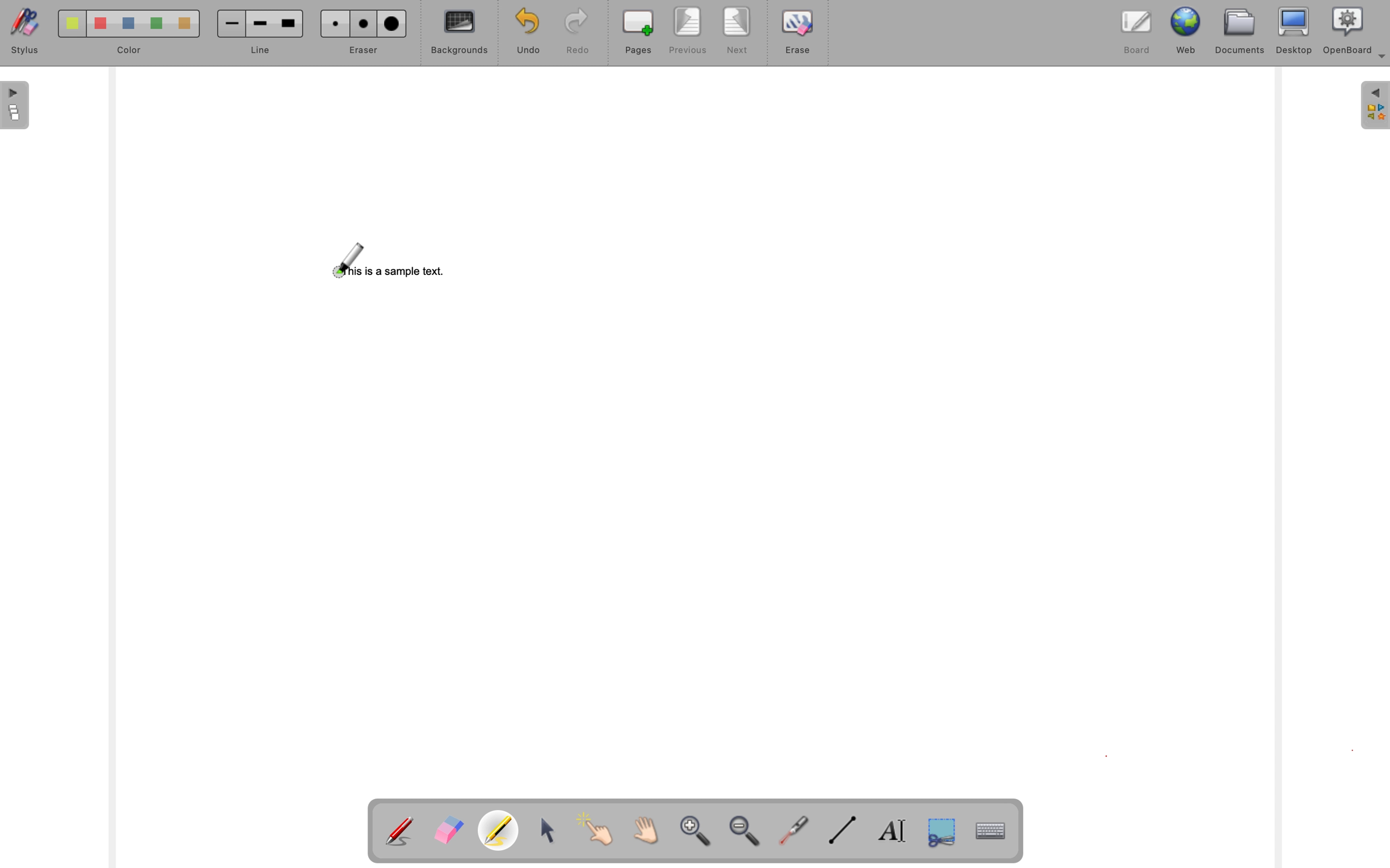 Image resolution: width=1390 pixels, height=868 pixels. I want to click on select and modify objects, so click(554, 828).